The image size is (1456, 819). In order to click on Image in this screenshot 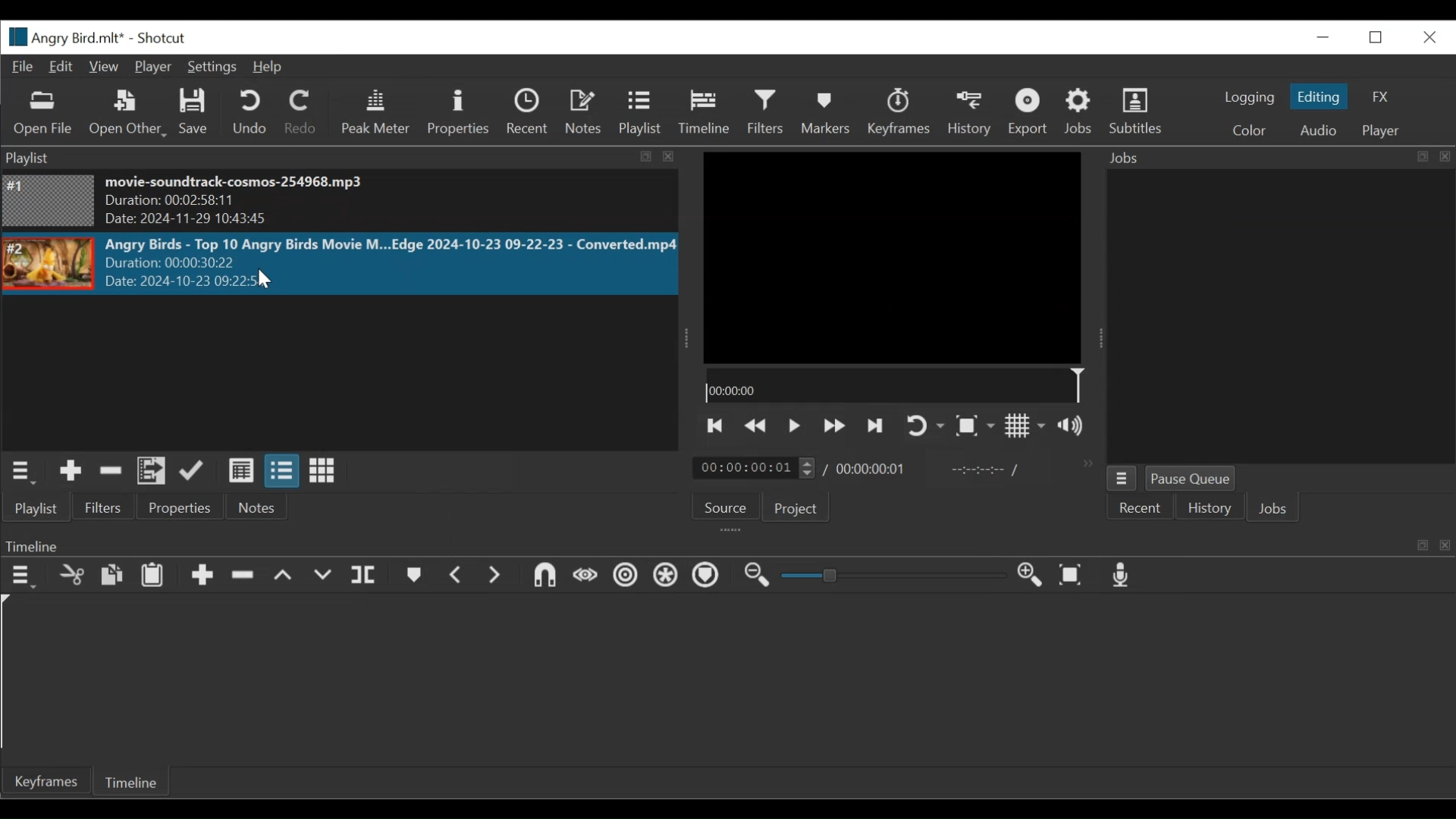, I will do `click(49, 200)`.